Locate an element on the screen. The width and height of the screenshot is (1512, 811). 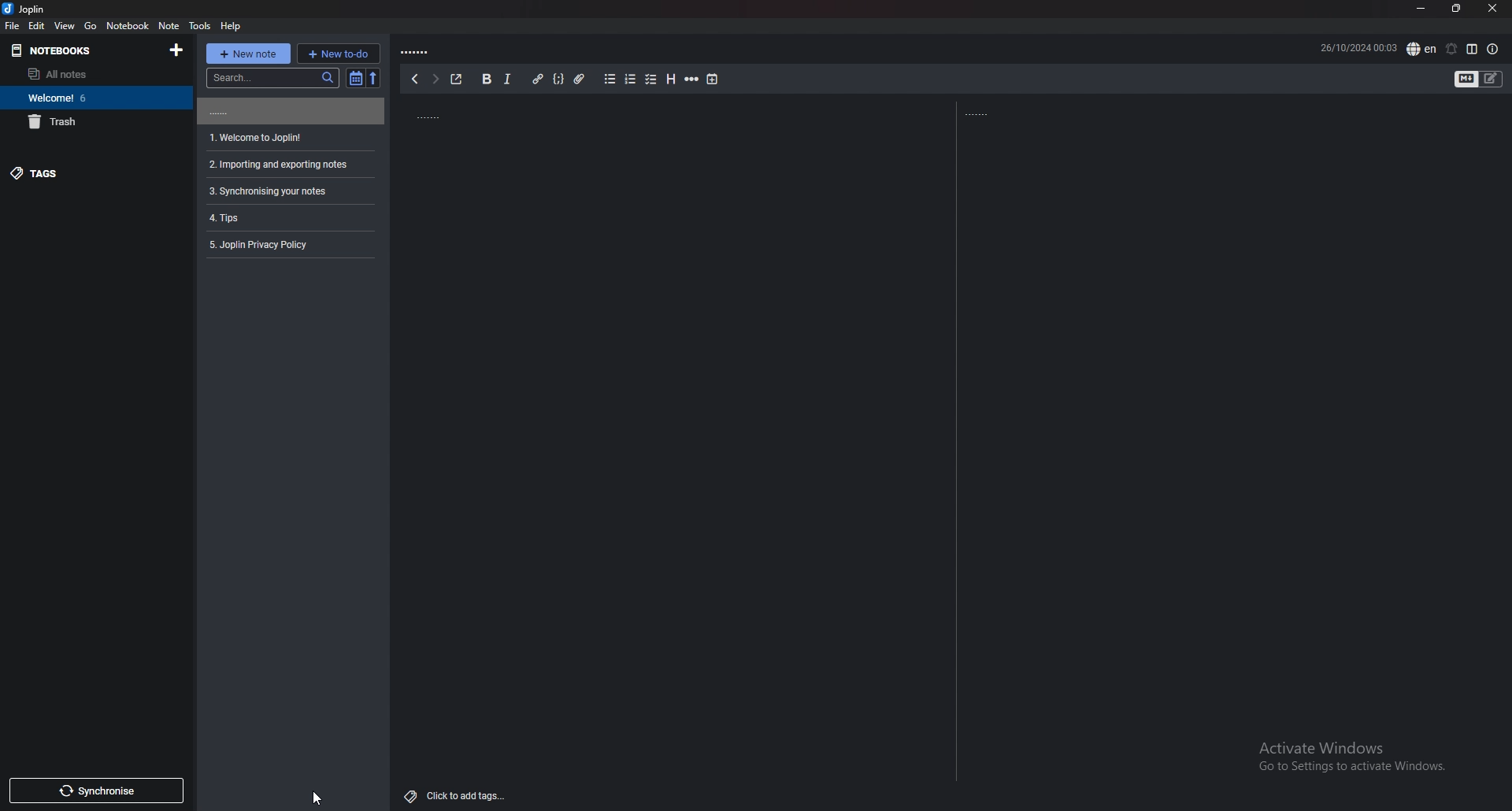
help is located at coordinates (231, 26).